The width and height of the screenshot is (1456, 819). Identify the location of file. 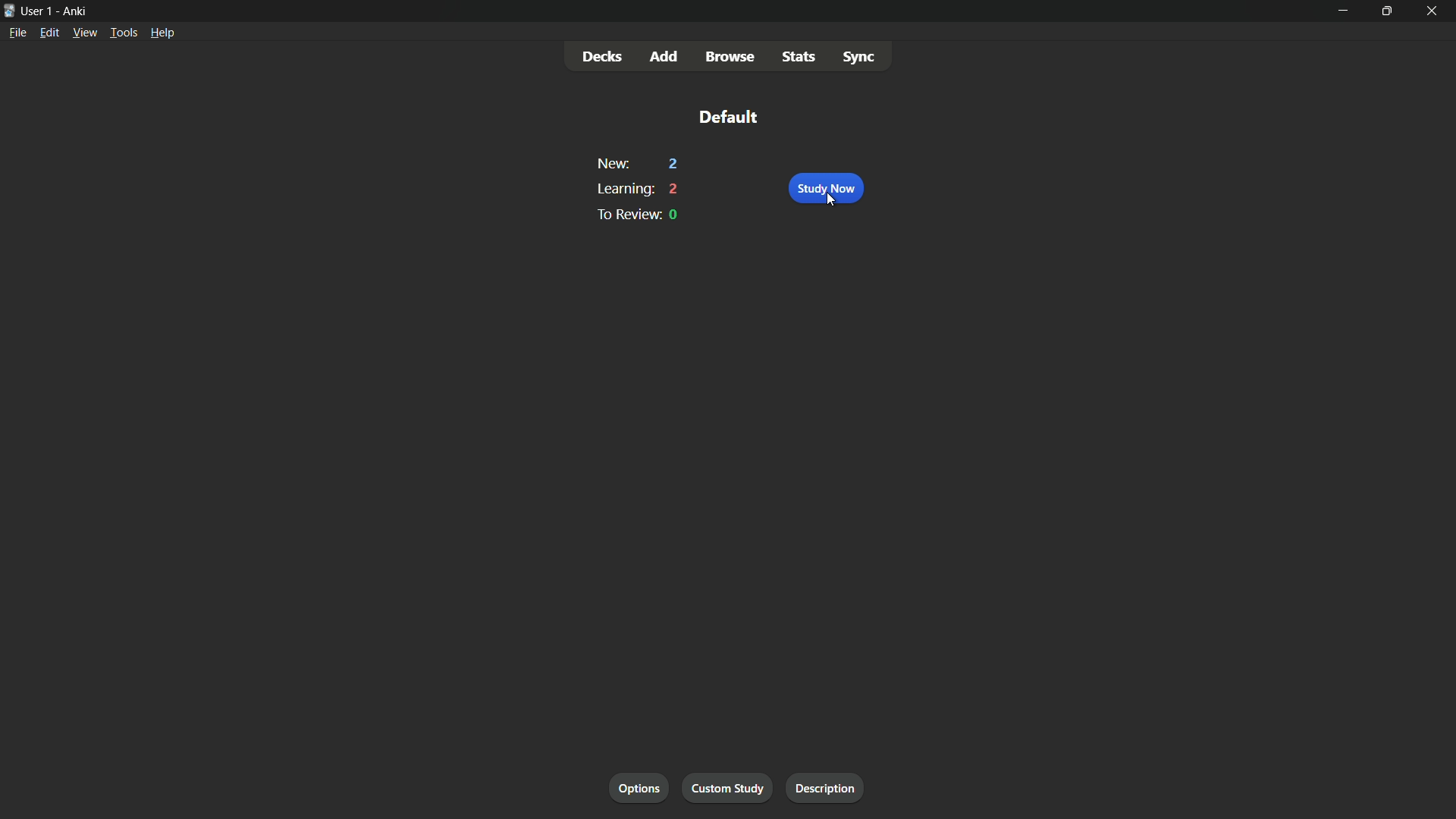
(17, 33).